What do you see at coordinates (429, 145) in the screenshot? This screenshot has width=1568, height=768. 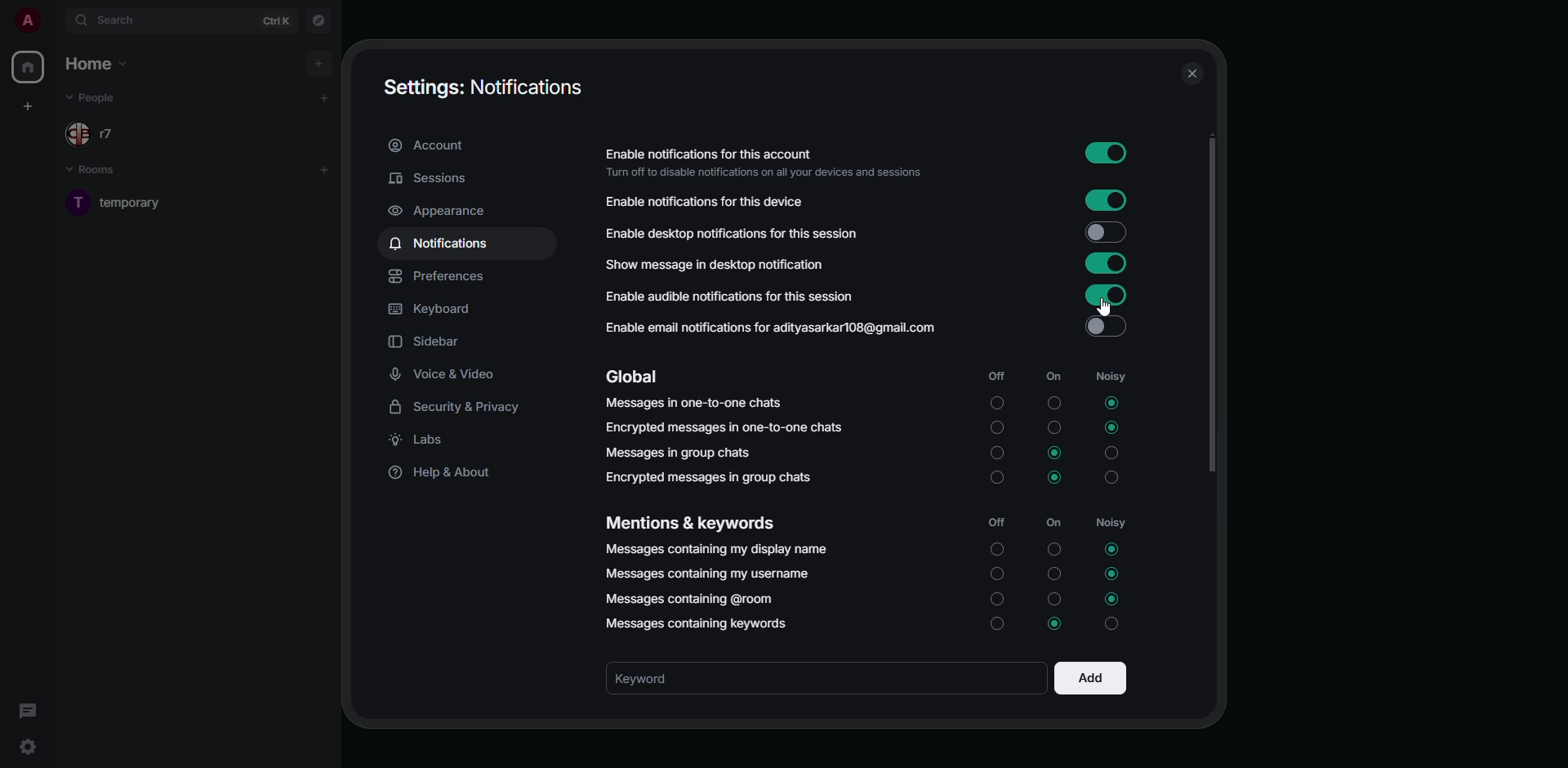 I see `account` at bounding box center [429, 145].